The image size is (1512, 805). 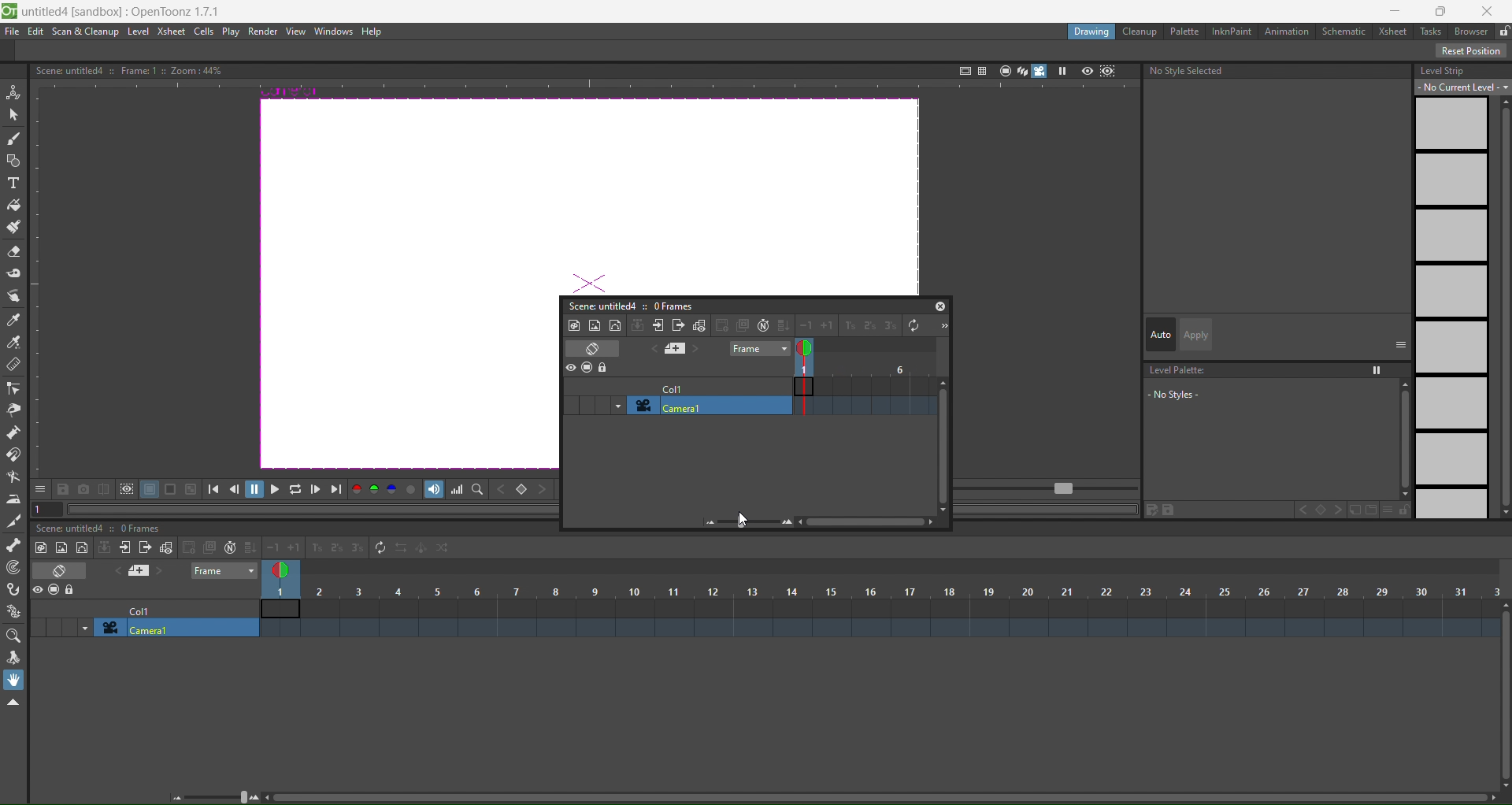 I want to click on eraser tool, so click(x=14, y=253).